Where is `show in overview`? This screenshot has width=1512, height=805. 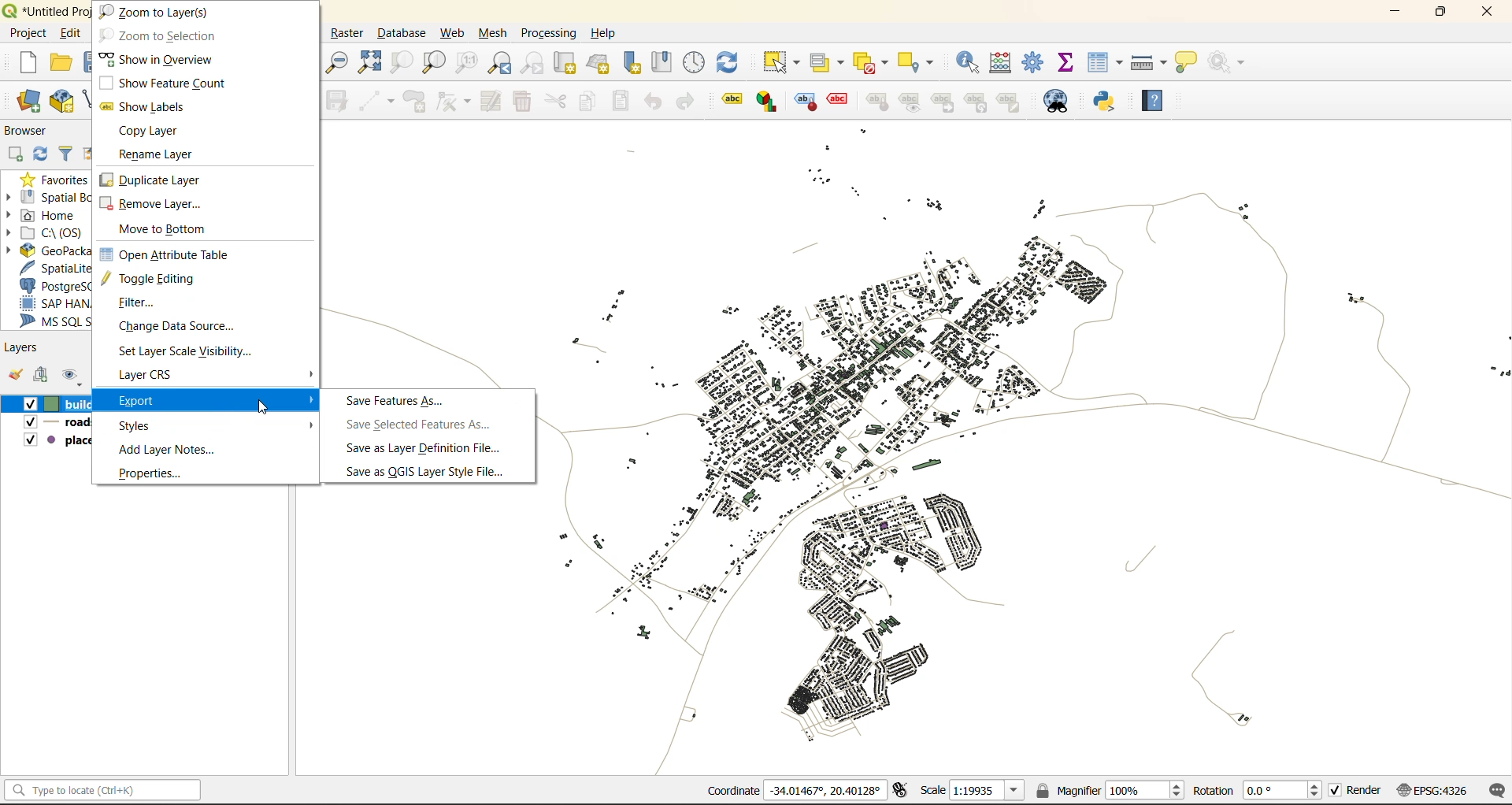
show in overview is located at coordinates (157, 57).